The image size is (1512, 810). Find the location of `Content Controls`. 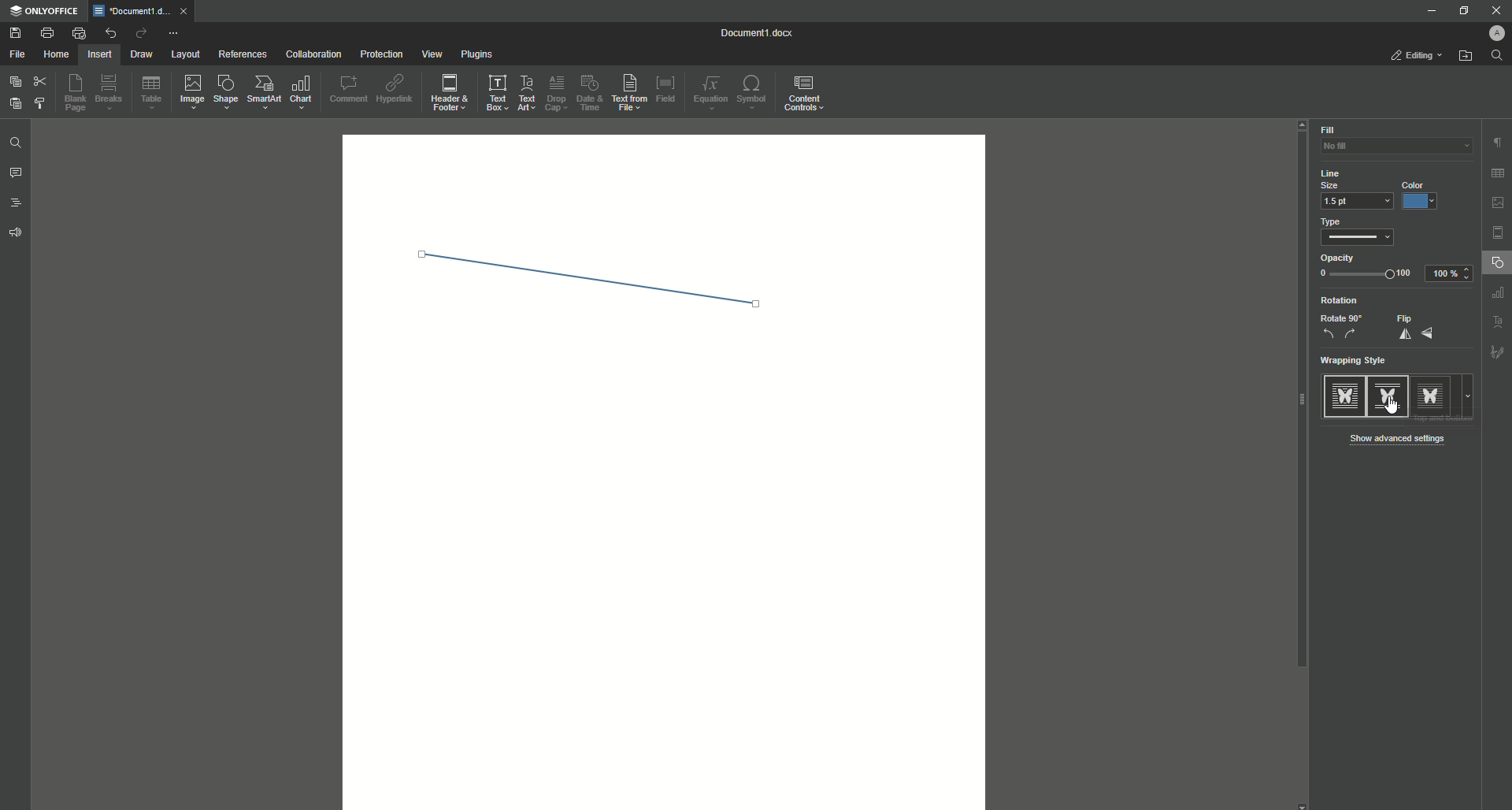

Content Controls is located at coordinates (806, 94).